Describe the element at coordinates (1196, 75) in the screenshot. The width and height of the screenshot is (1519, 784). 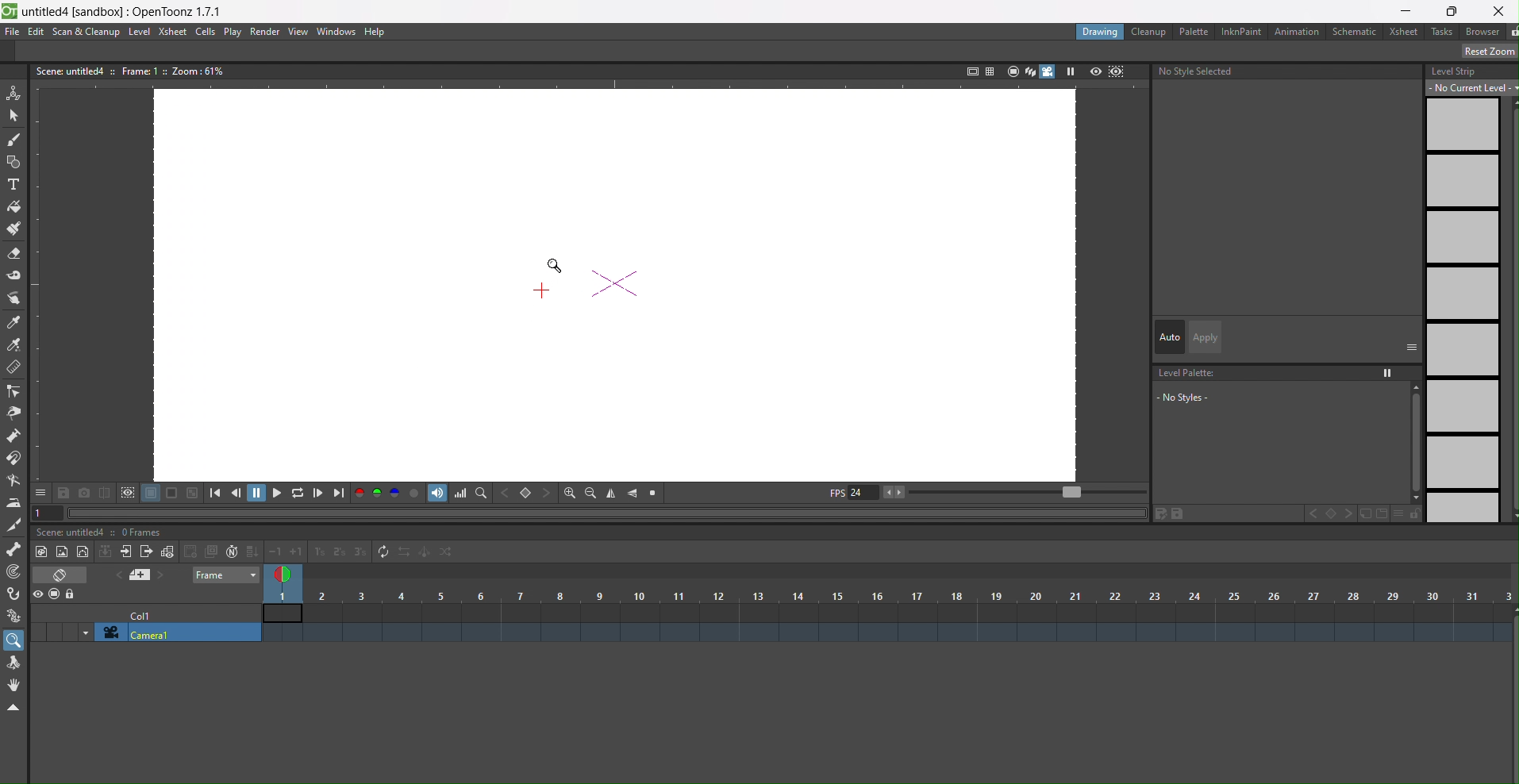
I see `no style selected` at that location.